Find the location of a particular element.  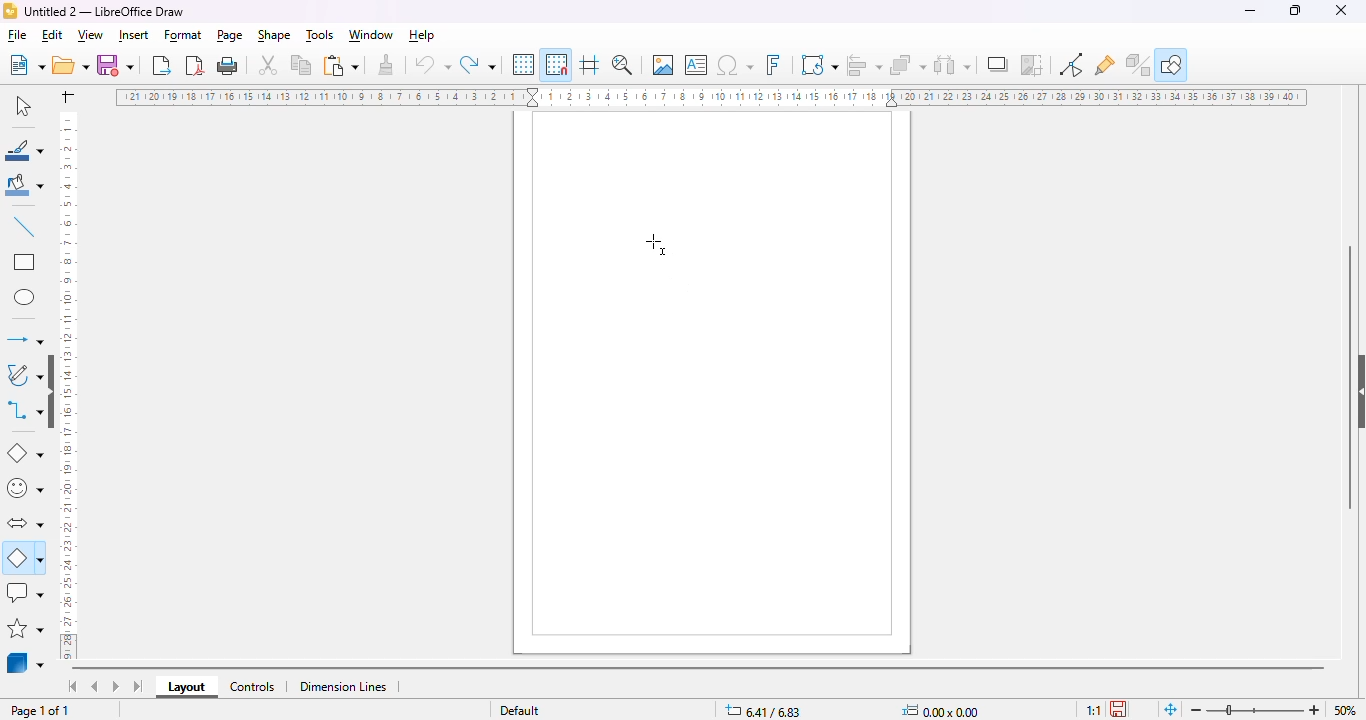

maximize is located at coordinates (1295, 10).